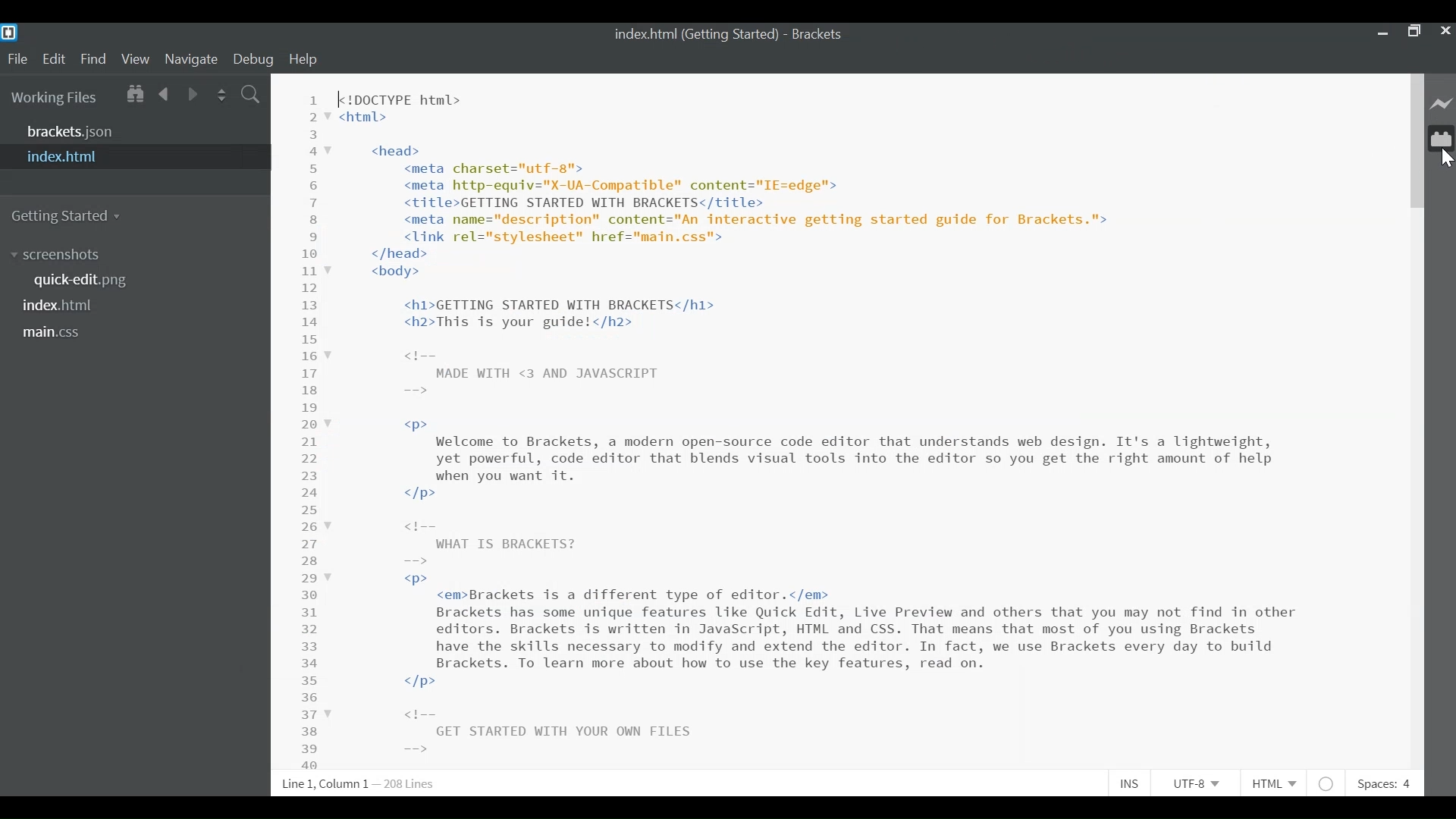 The image size is (1456, 819). What do you see at coordinates (85, 281) in the screenshot?
I see `quickedit.png` at bounding box center [85, 281].